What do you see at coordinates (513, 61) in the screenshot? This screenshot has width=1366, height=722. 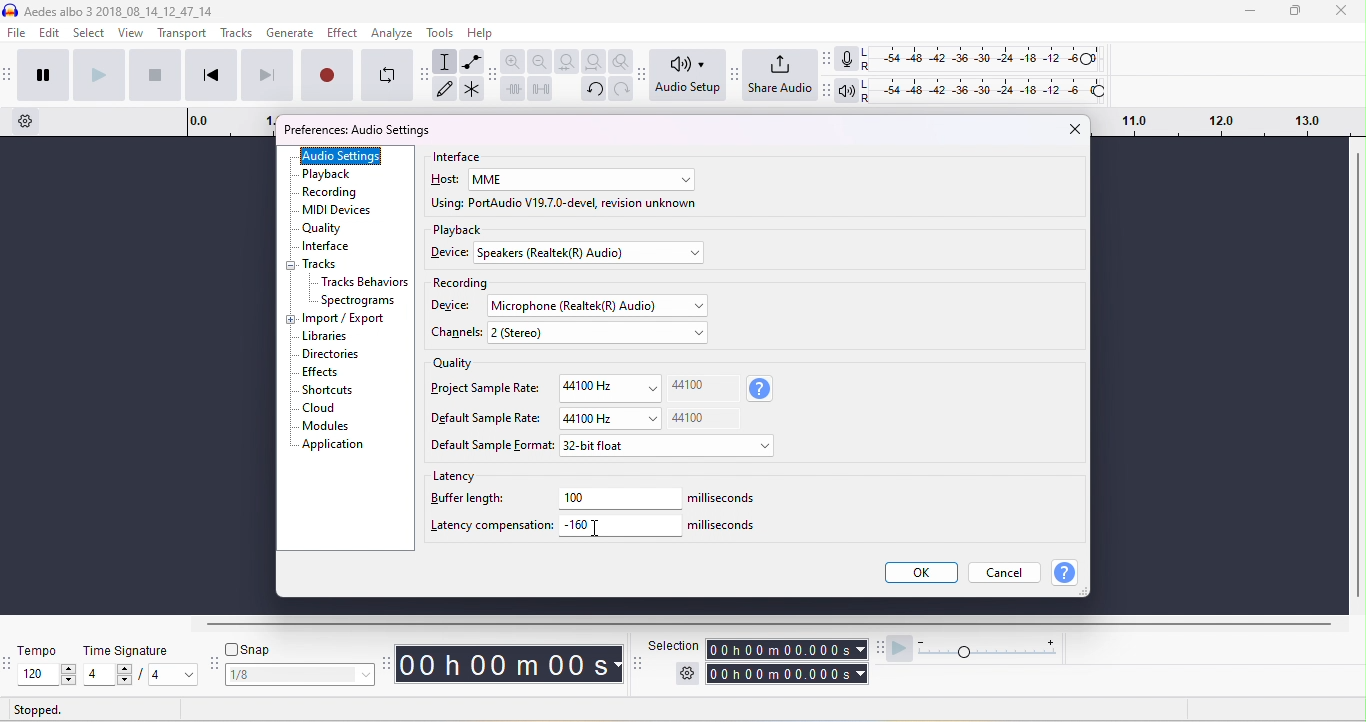 I see `zoom in` at bounding box center [513, 61].